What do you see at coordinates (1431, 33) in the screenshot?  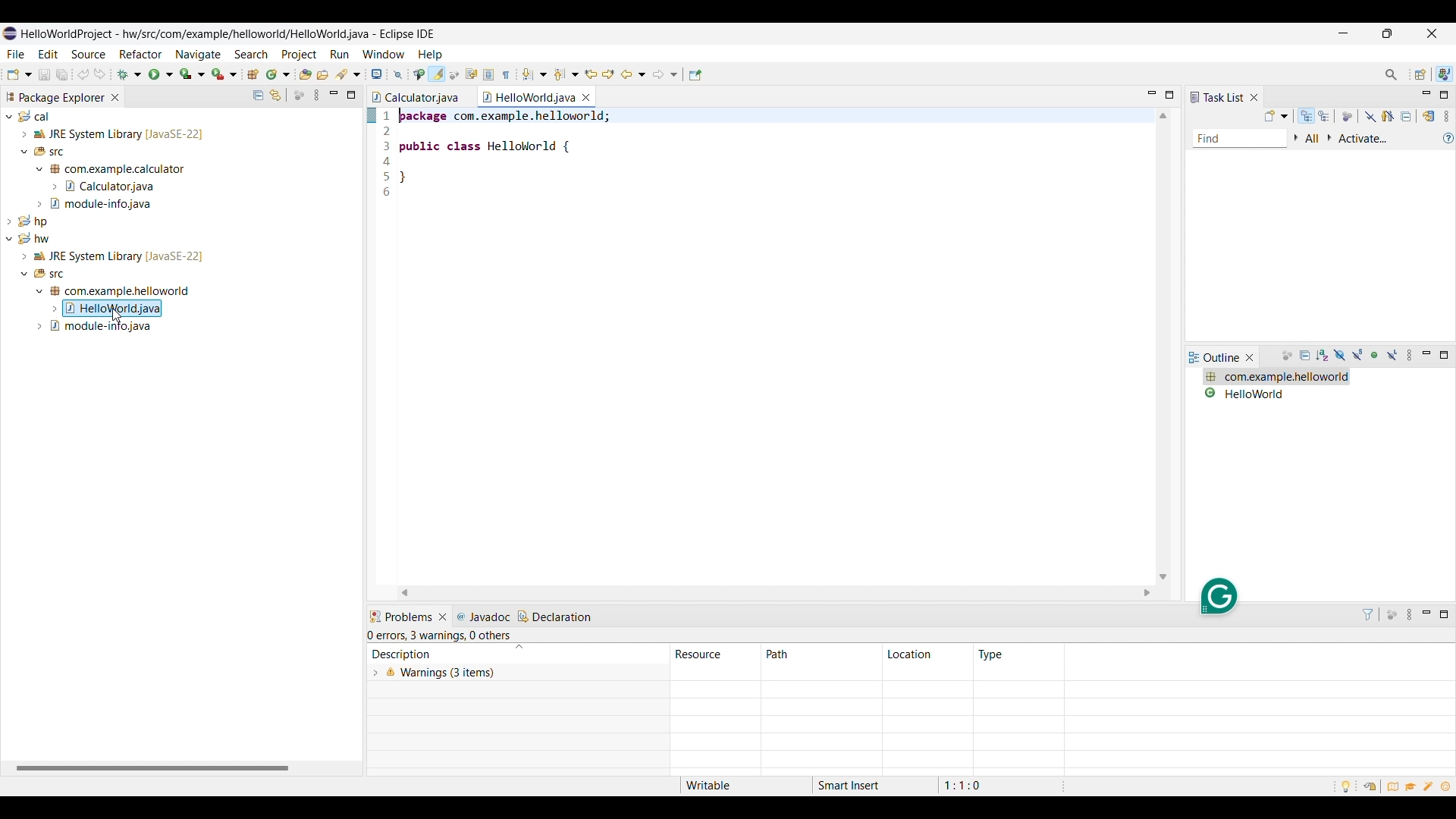 I see `Close interface` at bounding box center [1431, 33].